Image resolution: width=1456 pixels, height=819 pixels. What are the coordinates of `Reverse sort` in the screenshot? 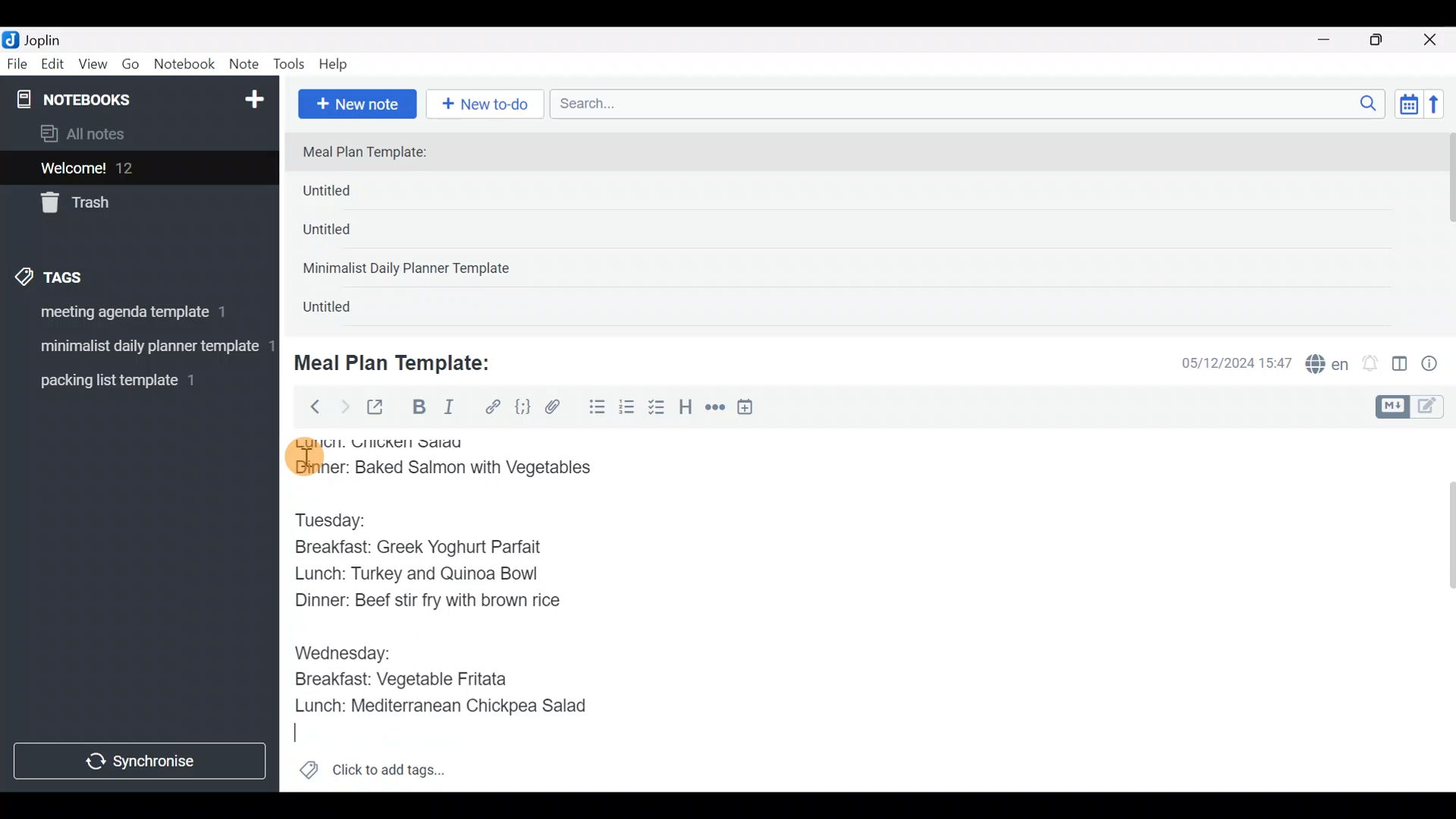 It's located at (1442, 108).